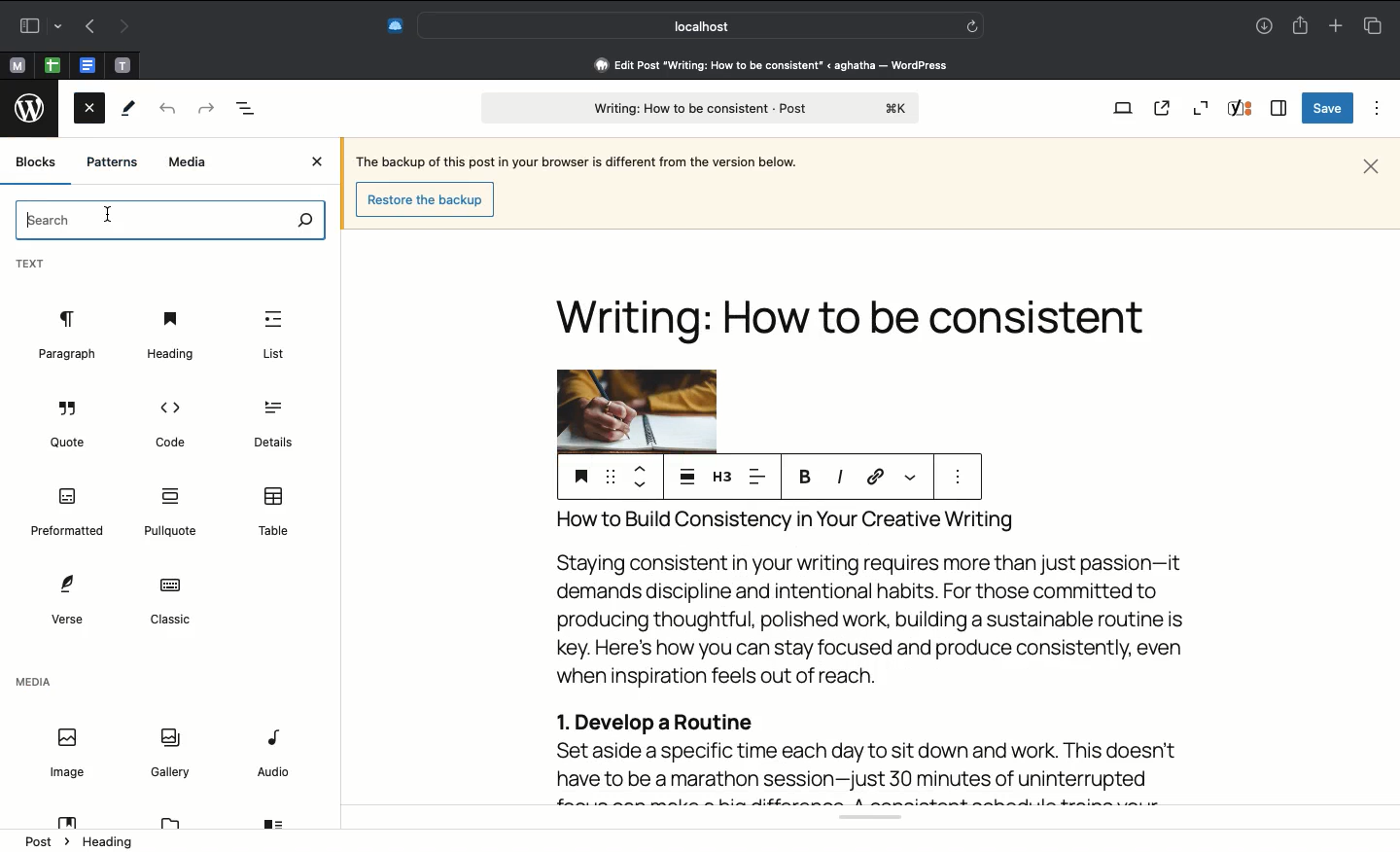  I want to click on Italics, so click(839, 478).